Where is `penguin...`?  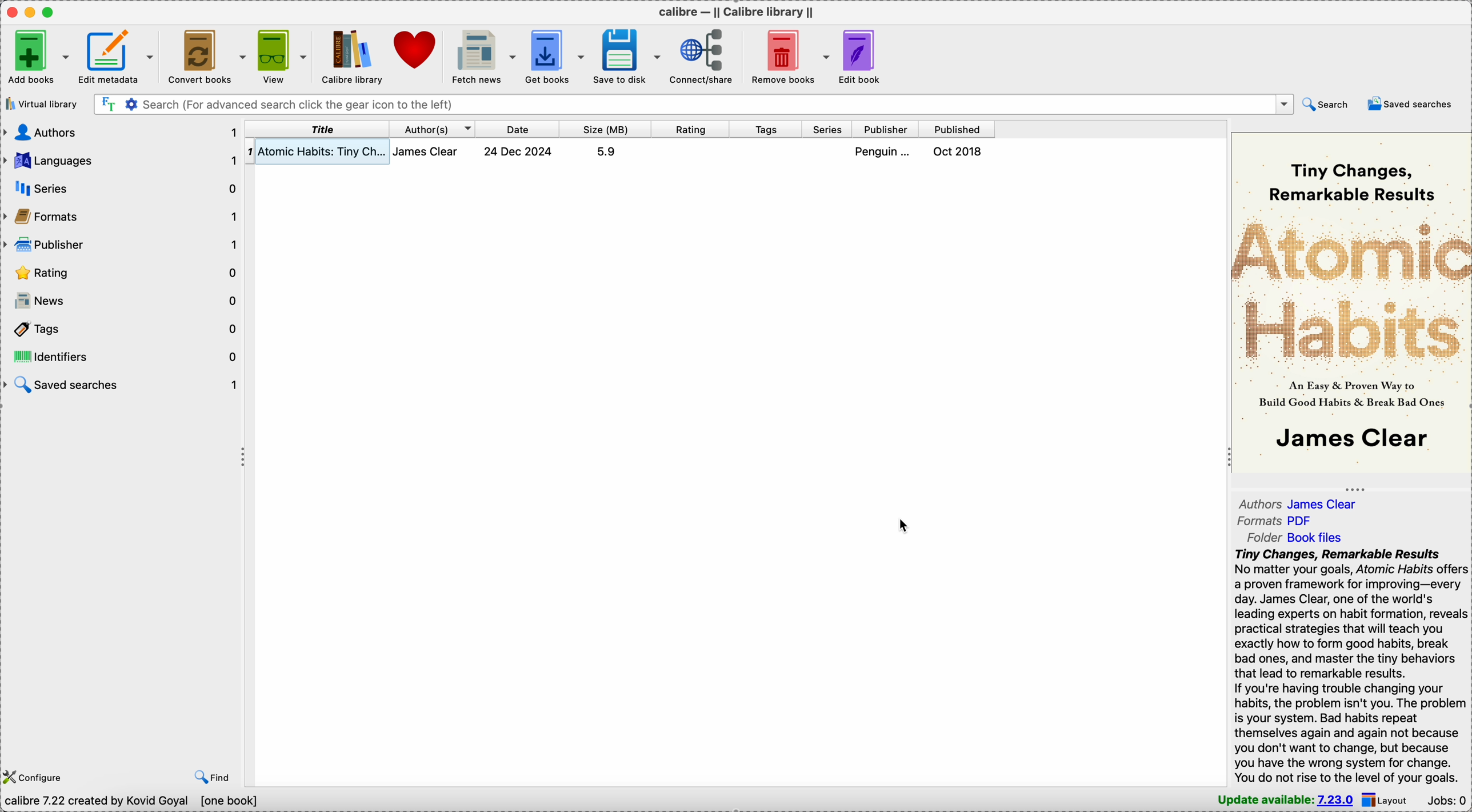 penguin... is located at coordinates (885, 151).